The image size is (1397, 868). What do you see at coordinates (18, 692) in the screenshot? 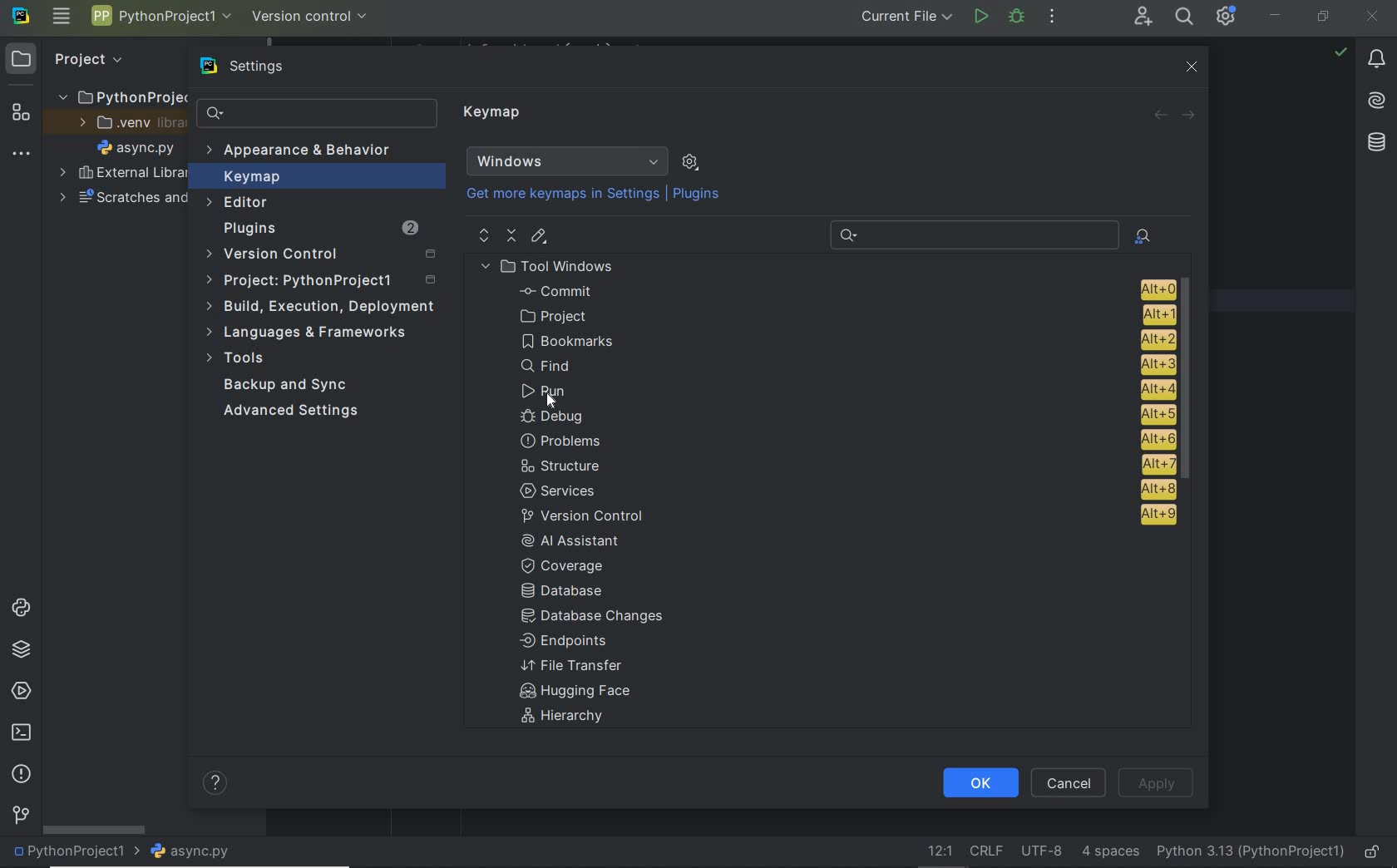
I see `services` at bounding box center [18, 692].